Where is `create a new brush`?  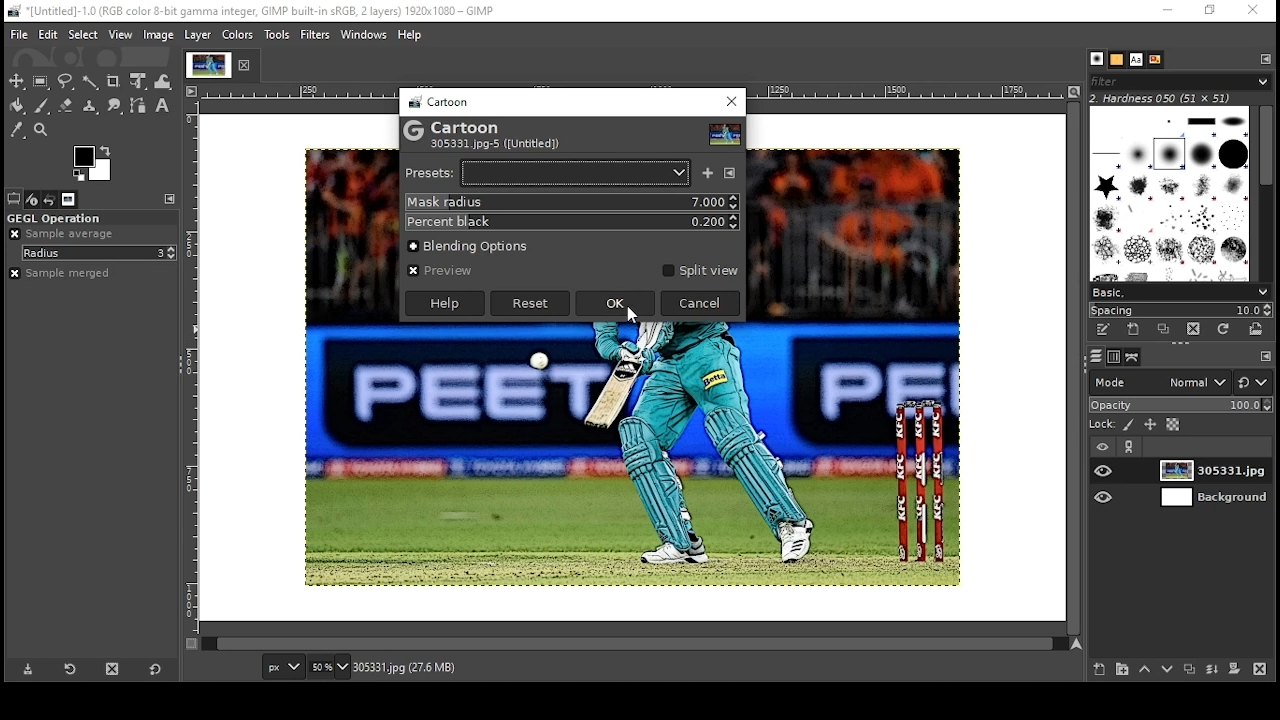 create a new brush is located at coordinates (1134, 329).